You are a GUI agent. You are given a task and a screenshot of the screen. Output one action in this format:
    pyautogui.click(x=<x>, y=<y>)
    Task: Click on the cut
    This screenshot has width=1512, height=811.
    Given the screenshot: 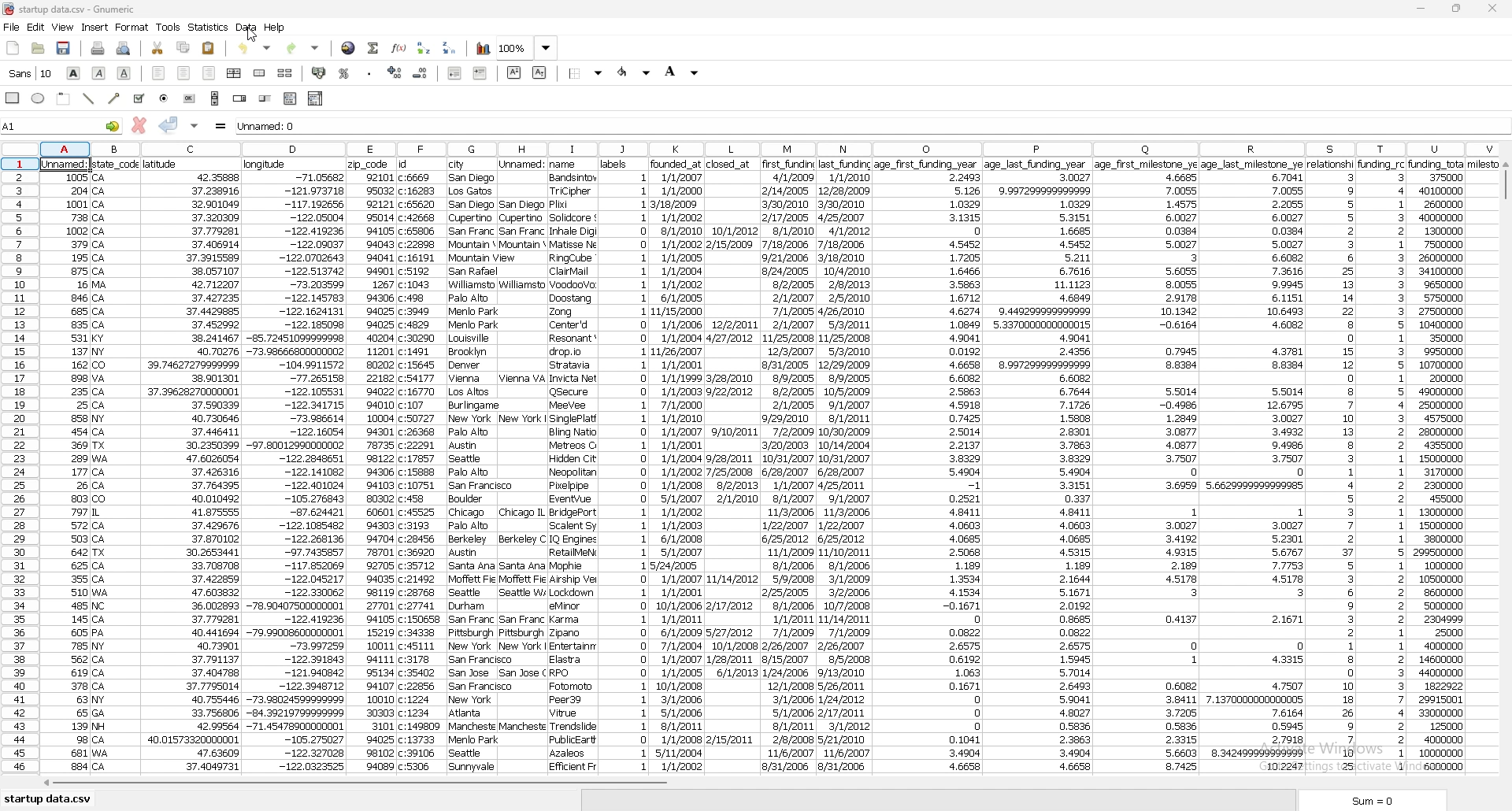 What is the action you would take?
    pyautogui.click(x=158, y=49)
    